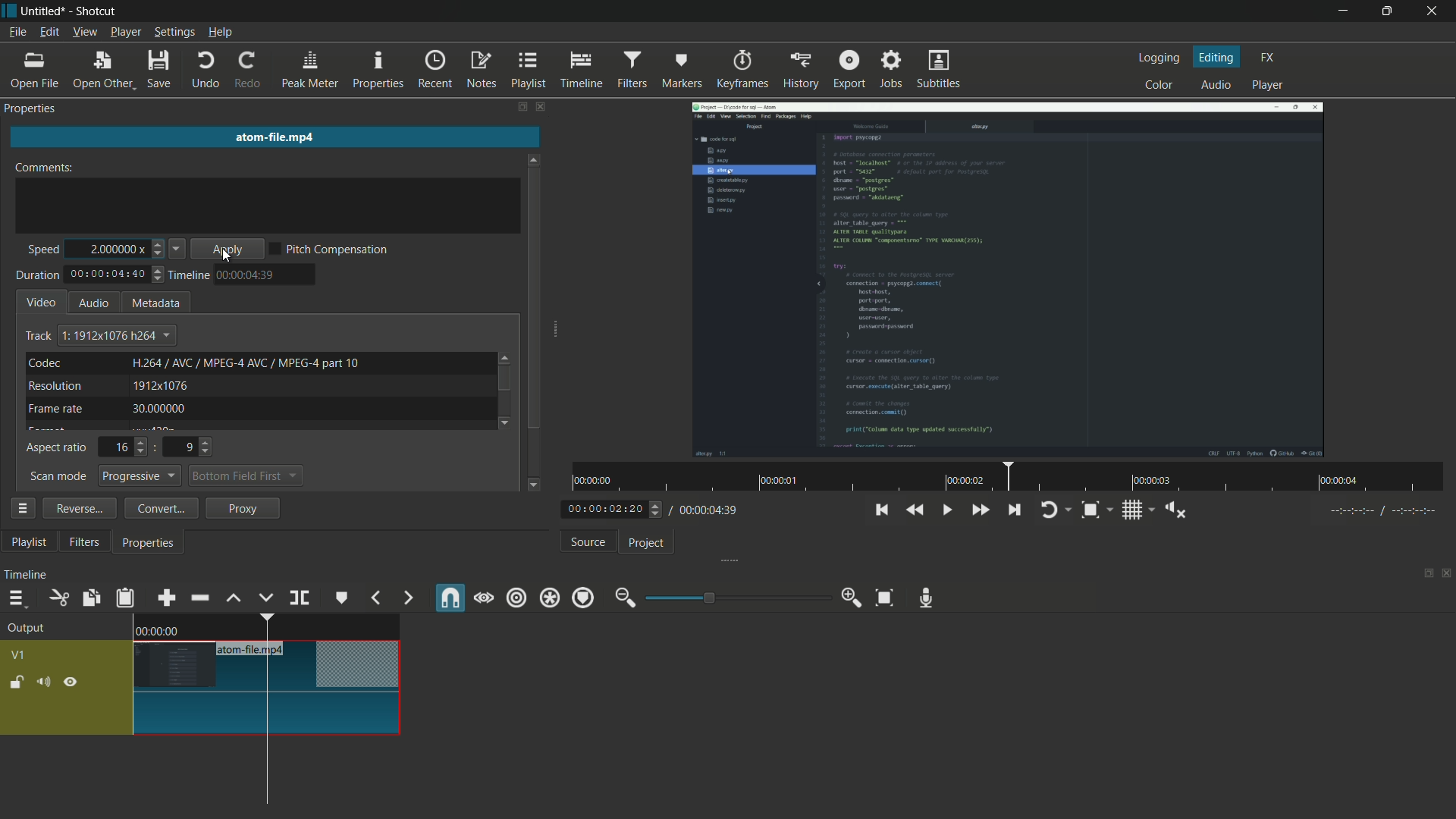  What do you see at coordinates (1093, 510) in the screenshot?
I see `toggle zoom` at bounding box center [1093, 510].